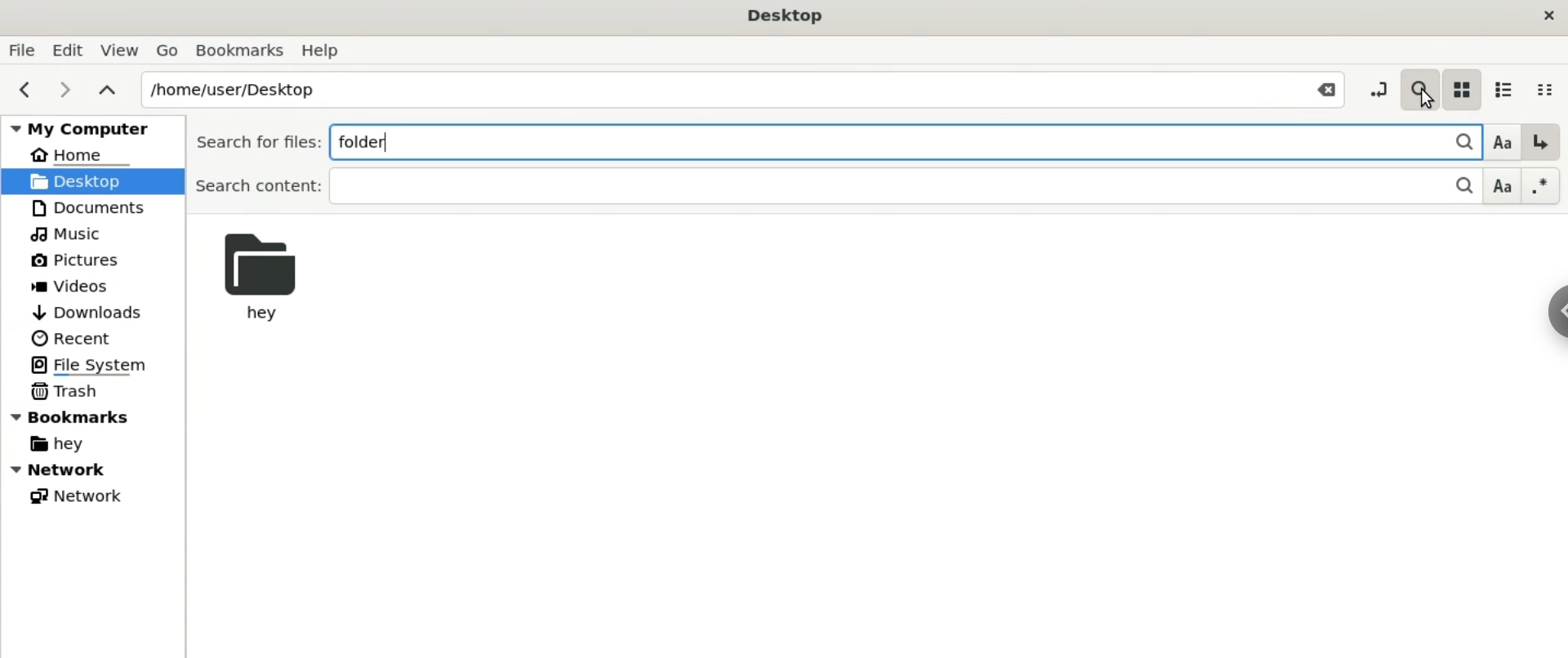  Describe the element at coordinates (65, 48) in the screenshot. I see `Edit` at that location.